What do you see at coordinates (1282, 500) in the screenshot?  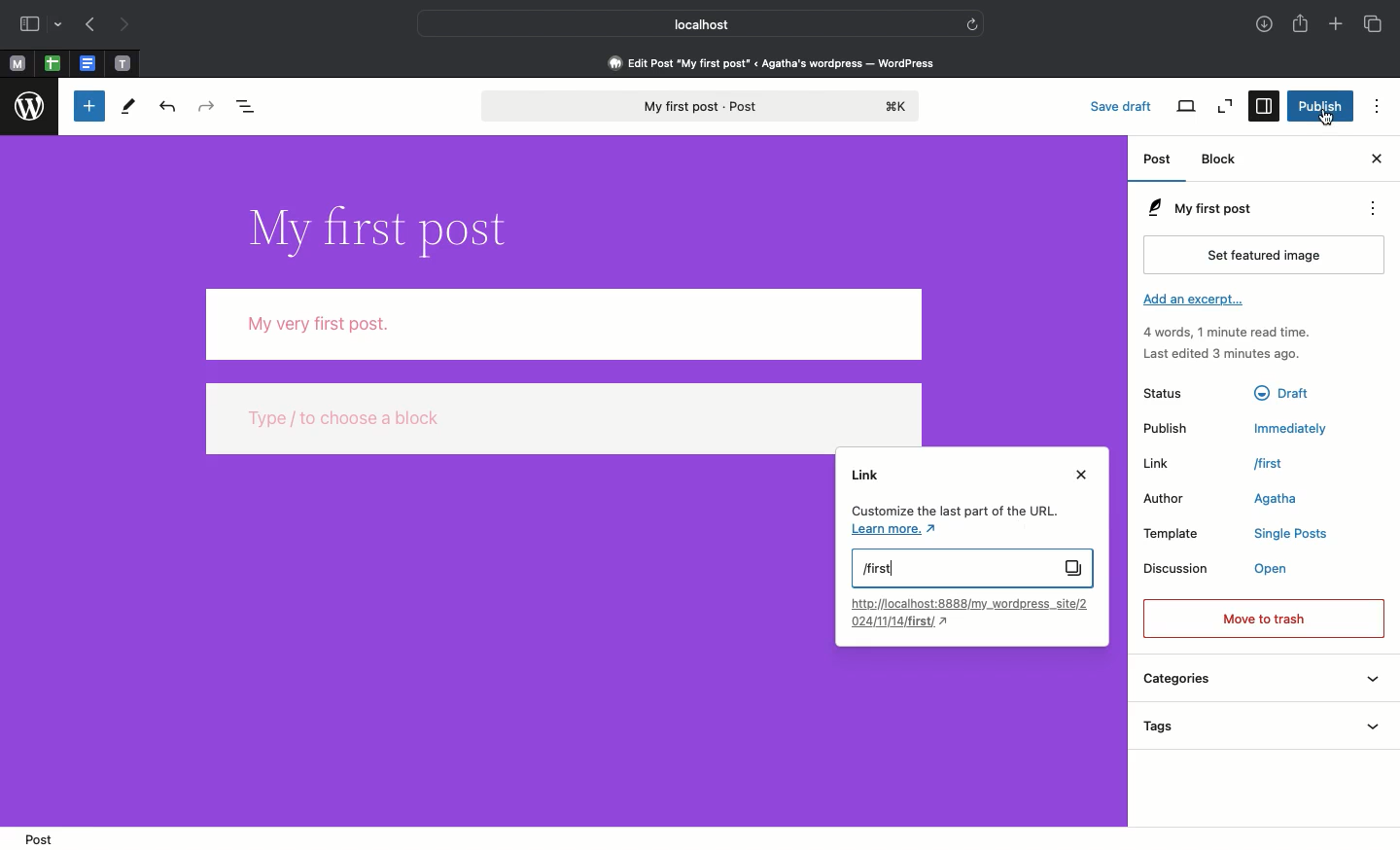 I see `Agatha` at bounding box center [1282, 500].